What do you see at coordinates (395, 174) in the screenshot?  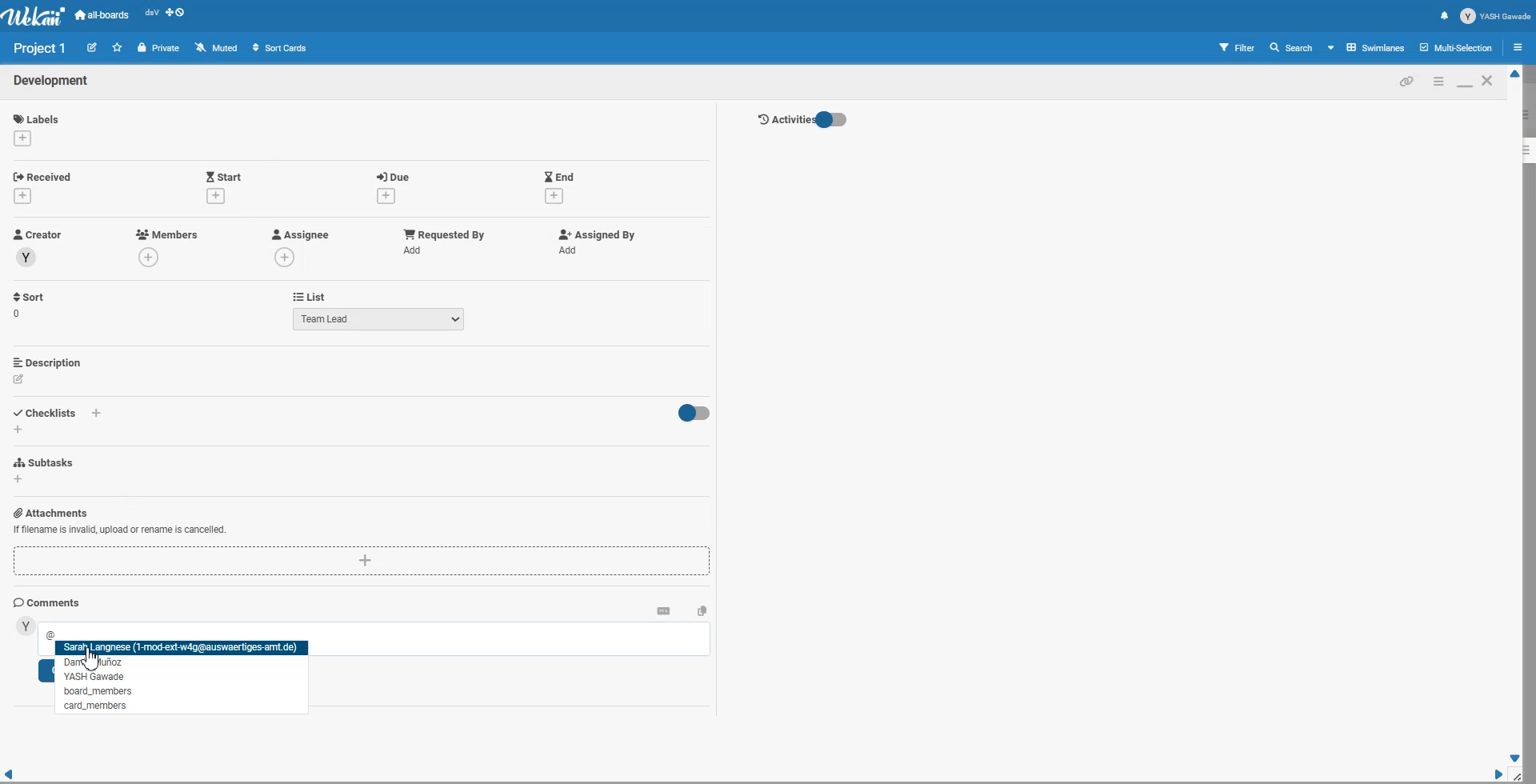 I see `Add Due date` at bounding box center [395, 174].